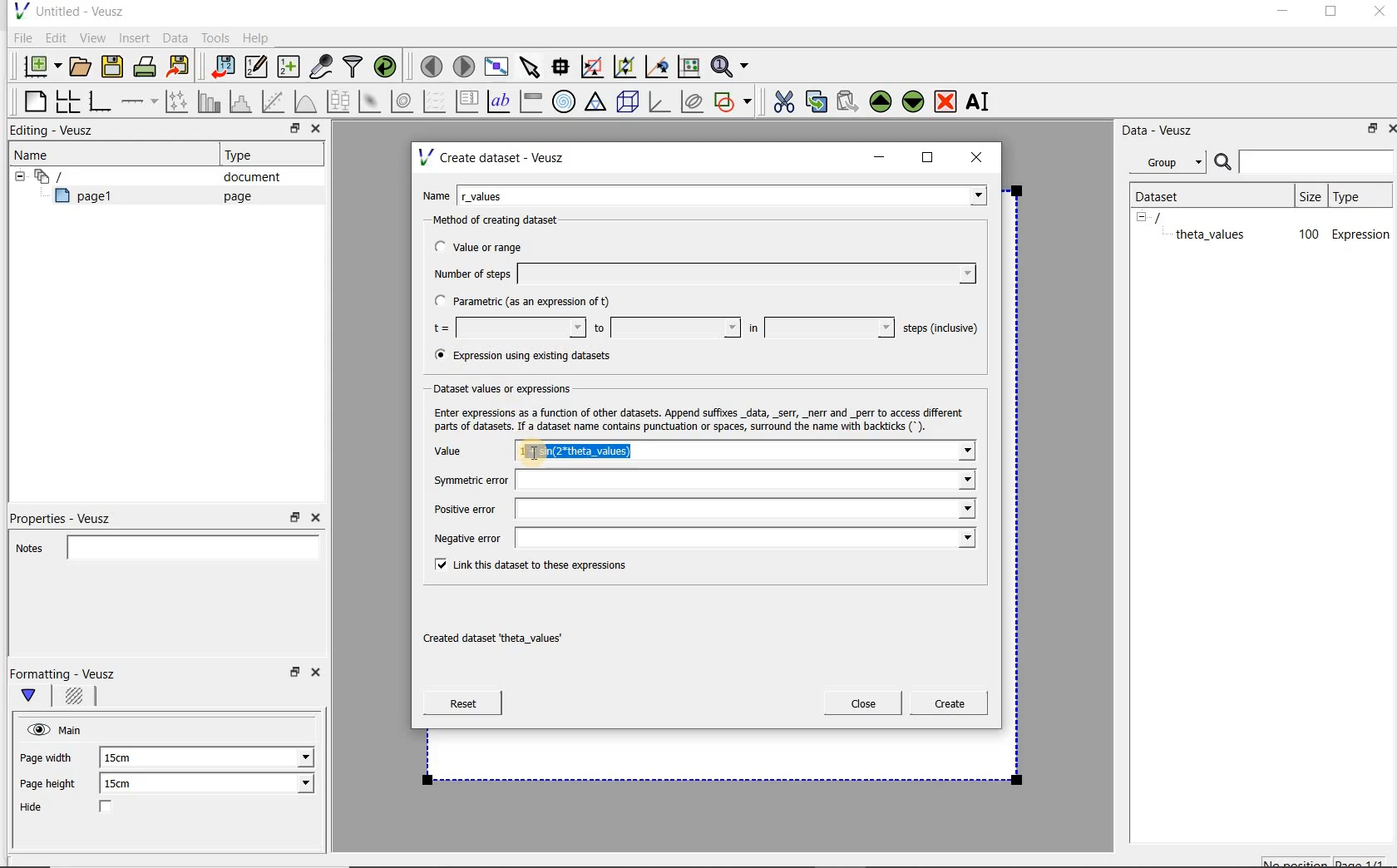  What do you see at coordinates (781, 100) in the screenshot?
I see `cut the selected widget` at bounding box center [781, 100].